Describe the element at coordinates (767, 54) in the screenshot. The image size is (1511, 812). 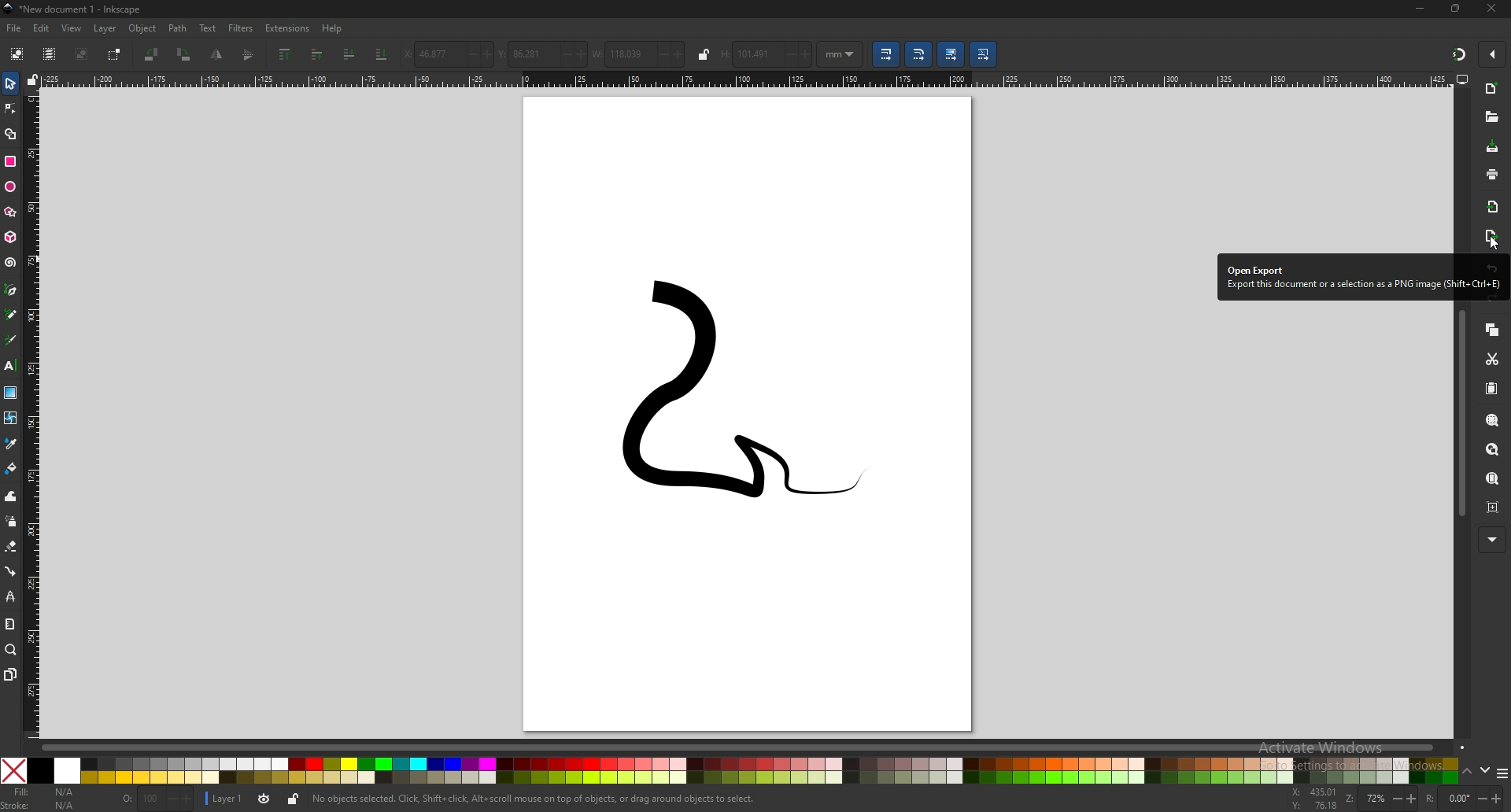
I see `height` at that location.